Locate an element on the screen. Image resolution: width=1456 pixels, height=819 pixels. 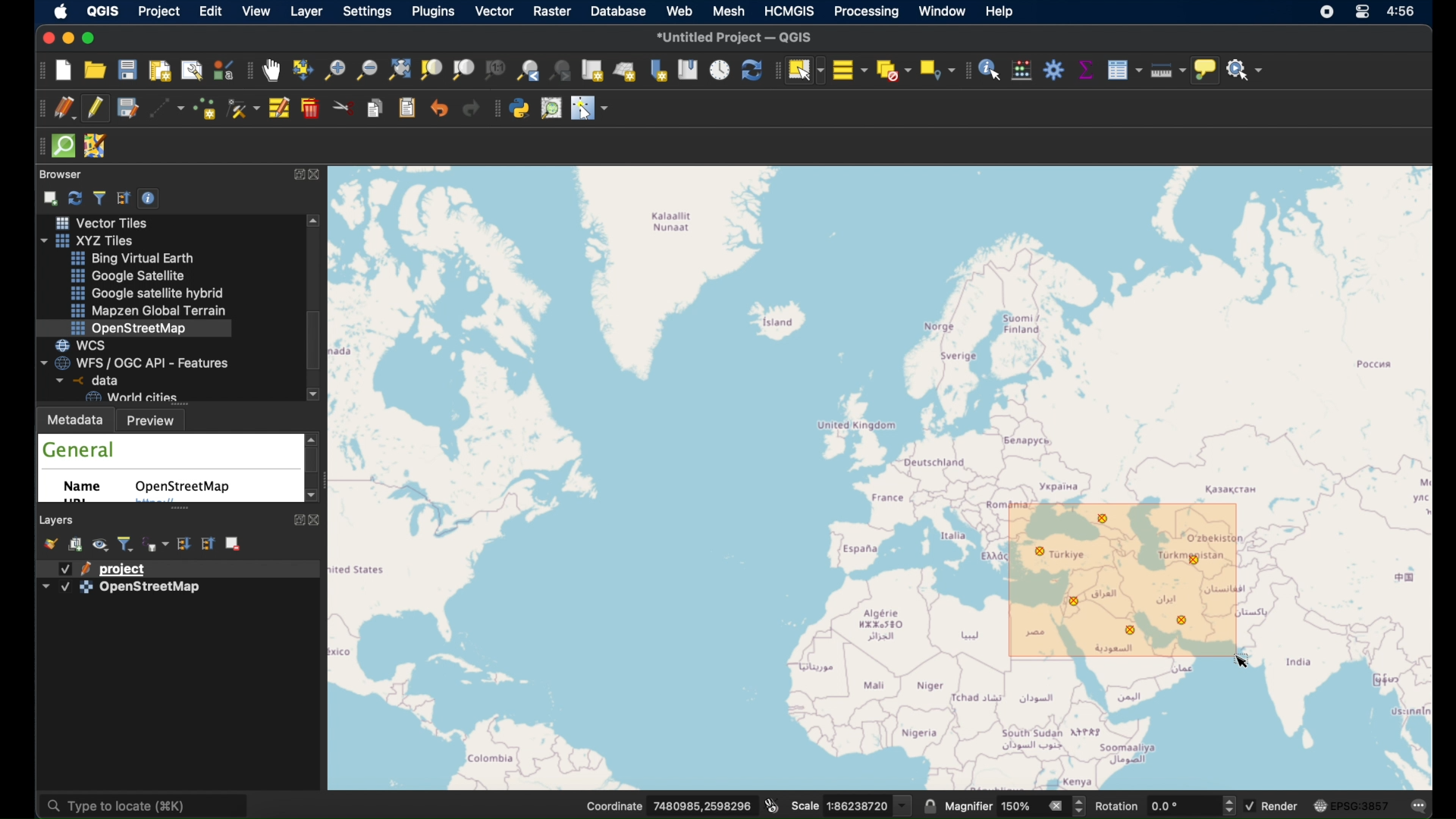
zoom full is located at coordinates (398, 69).